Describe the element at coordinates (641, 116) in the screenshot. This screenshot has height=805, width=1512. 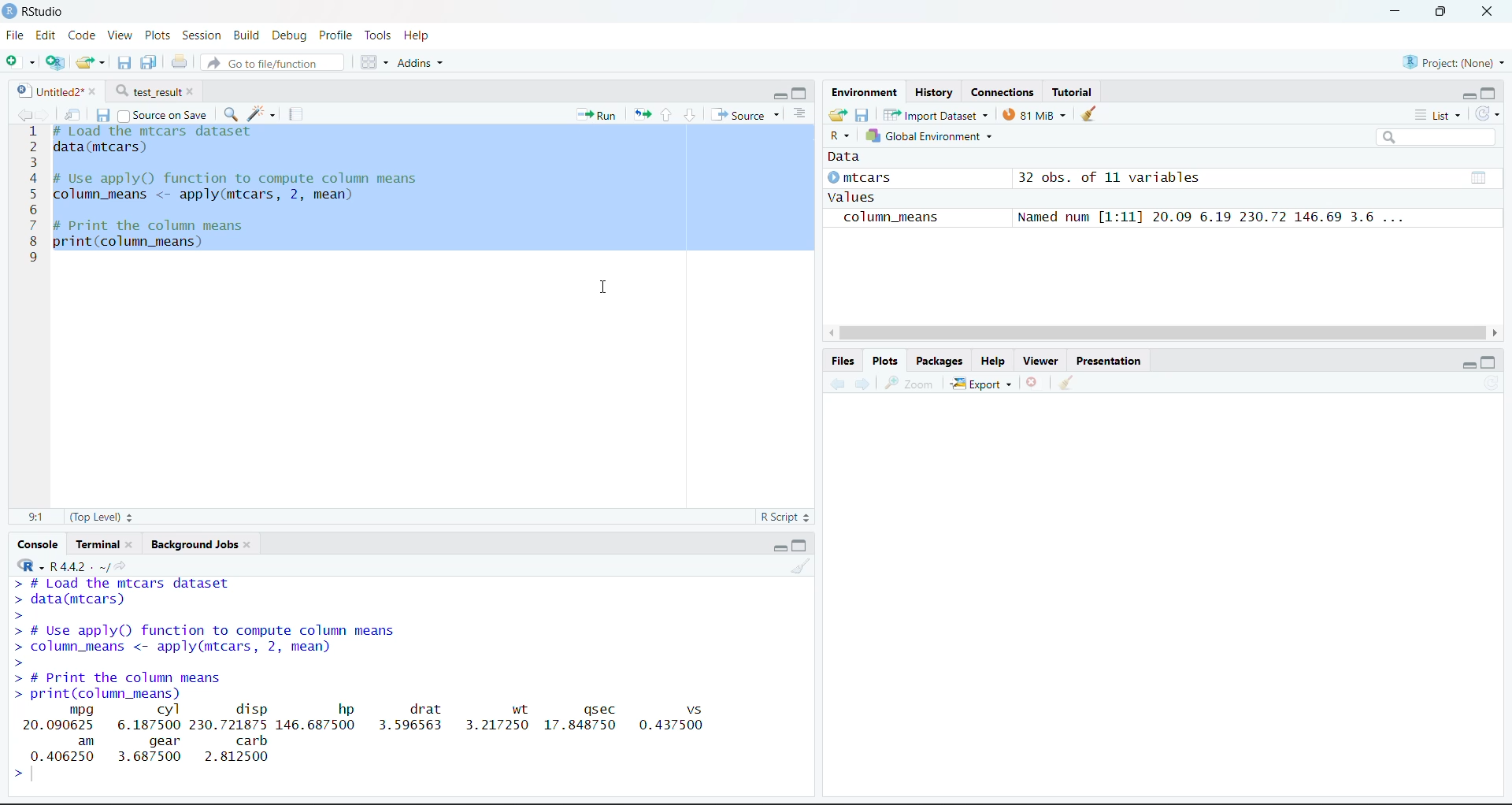
I see `Re-run the previous code region (Ctrl + Alt + P)` at that location.